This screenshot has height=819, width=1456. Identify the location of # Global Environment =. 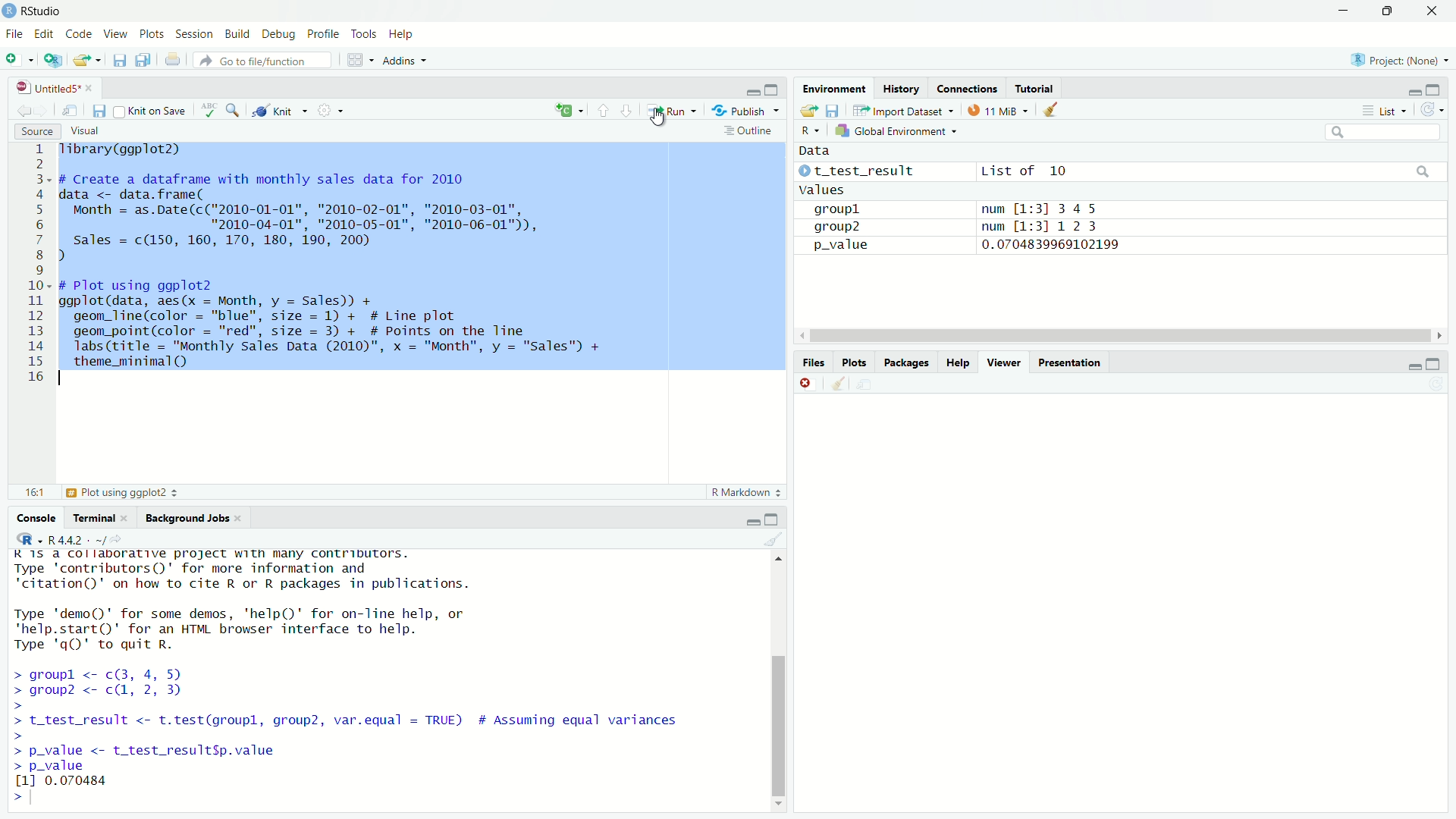
(896, 129).